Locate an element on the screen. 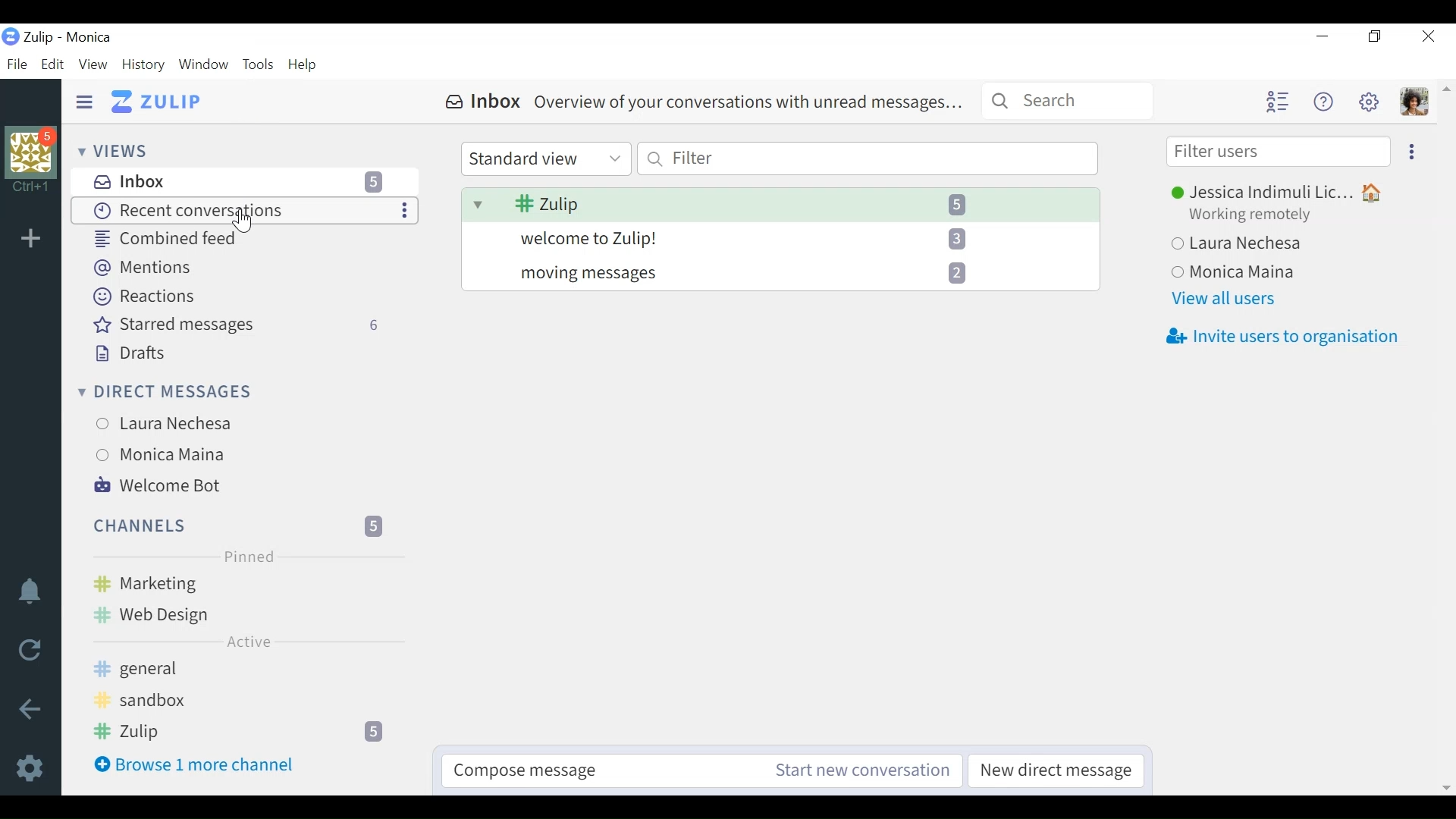 This screenshot has width=1456, height=819. Monica Maina is located at coordinates (1270, 274).